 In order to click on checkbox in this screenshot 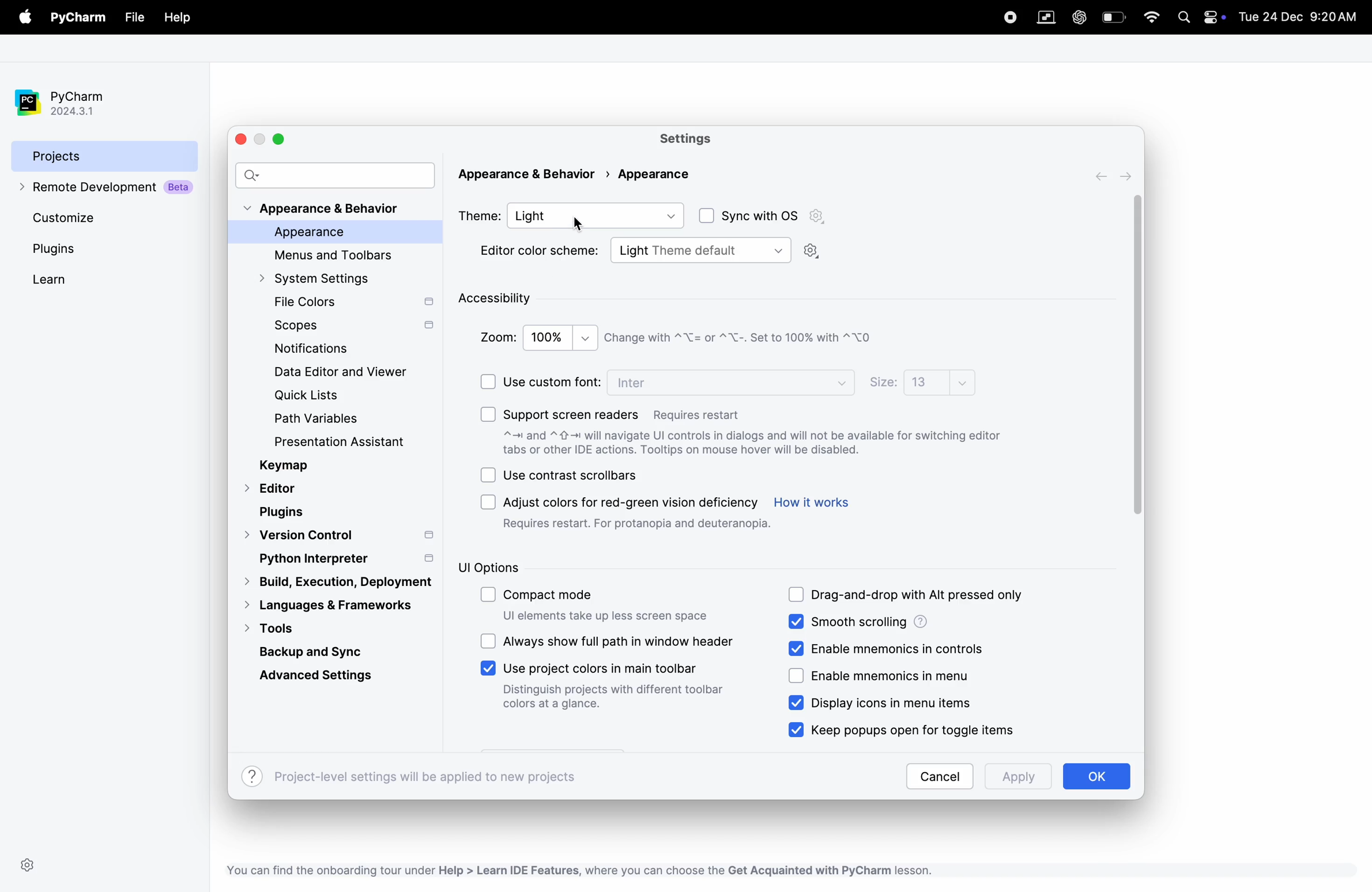, I will do `click(490, 502)`.